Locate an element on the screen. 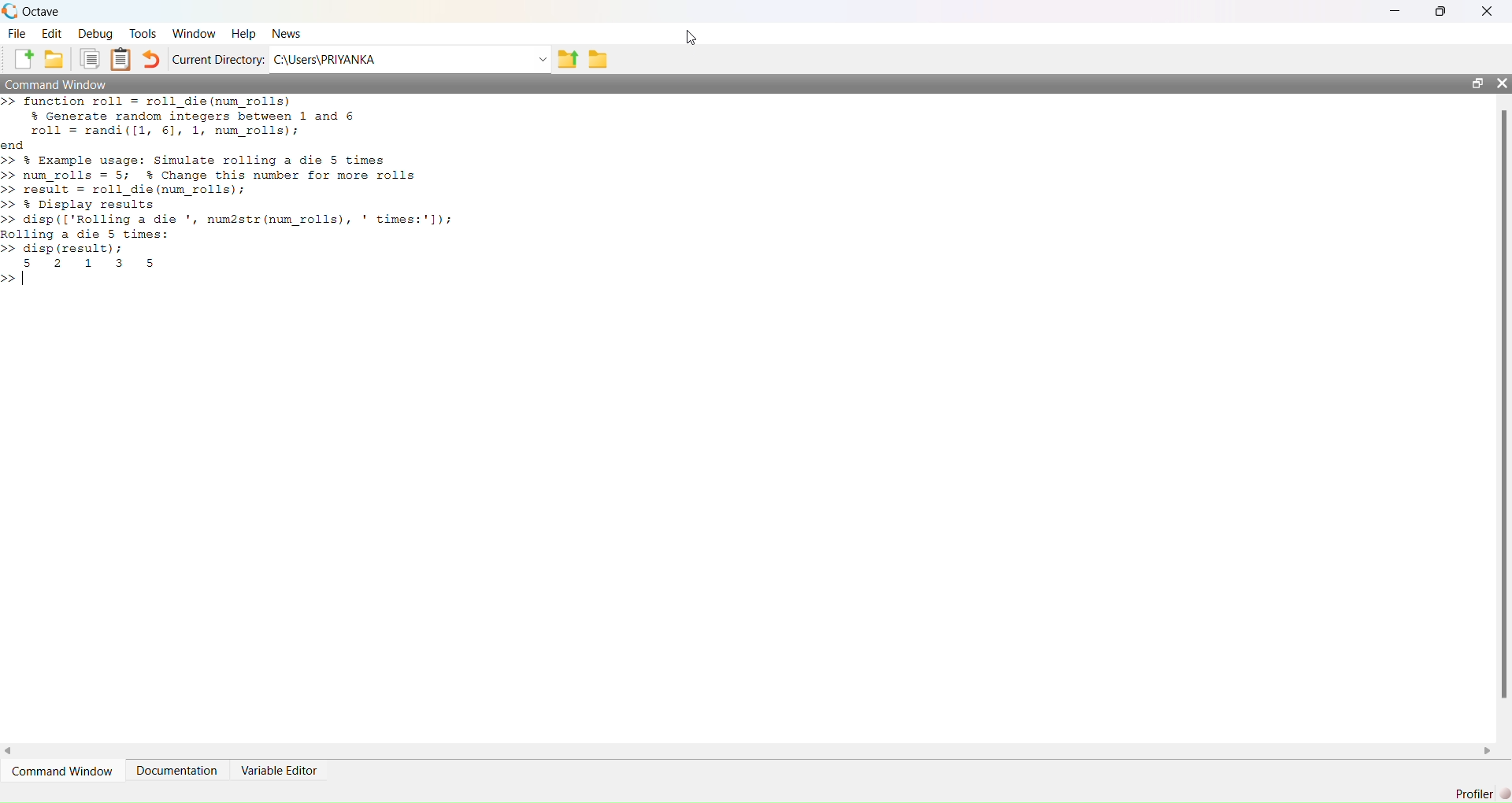 The width and height of the screenshot is (1512, 803). octave is located at coordinates (45, 13).